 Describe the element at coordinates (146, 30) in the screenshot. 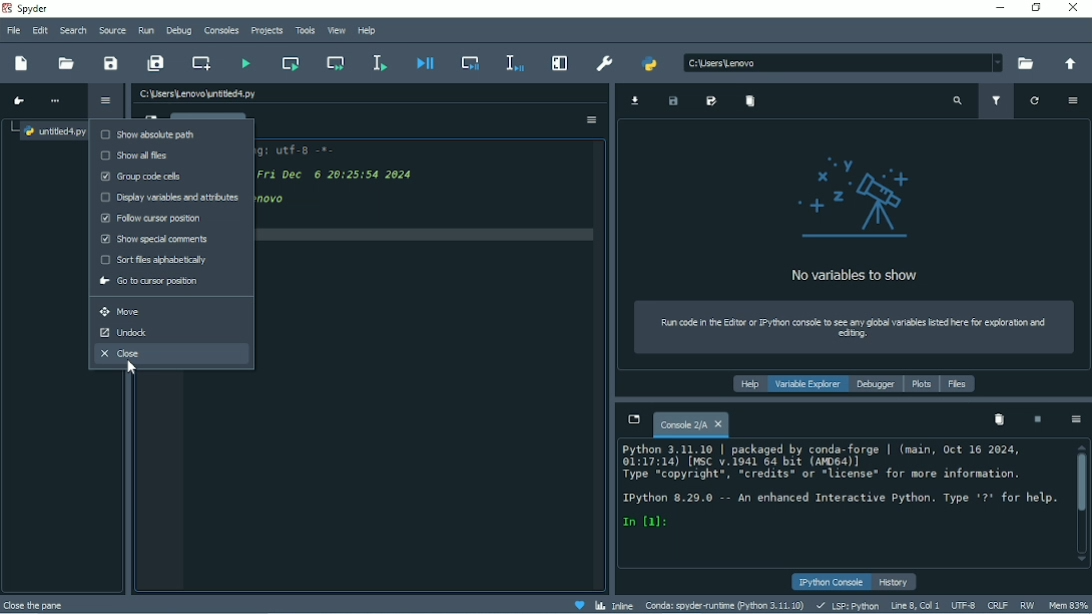

I see `Run` at that location.